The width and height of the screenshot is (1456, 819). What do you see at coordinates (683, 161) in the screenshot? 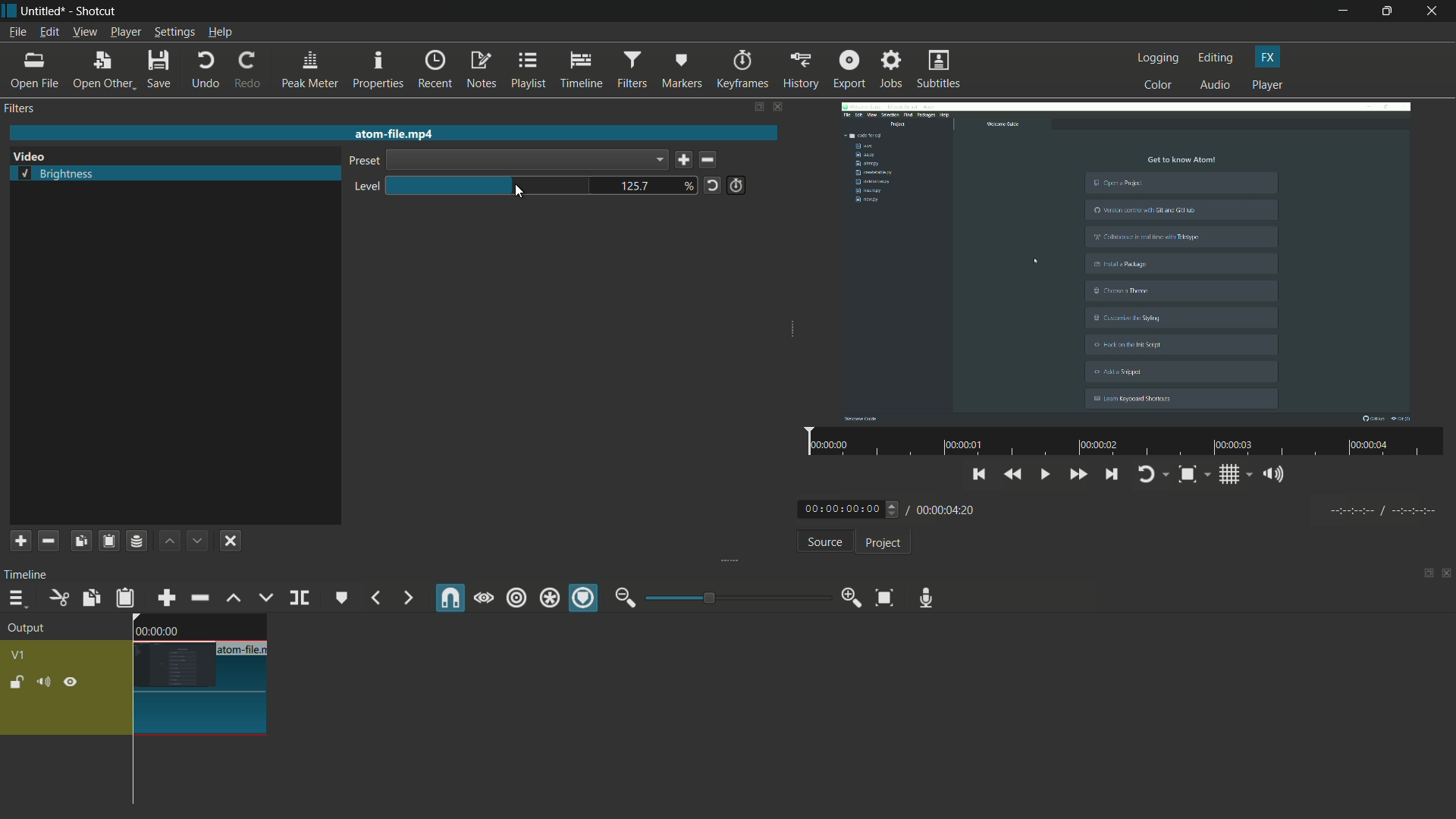
I see `save` at bounding box center [683, 161].